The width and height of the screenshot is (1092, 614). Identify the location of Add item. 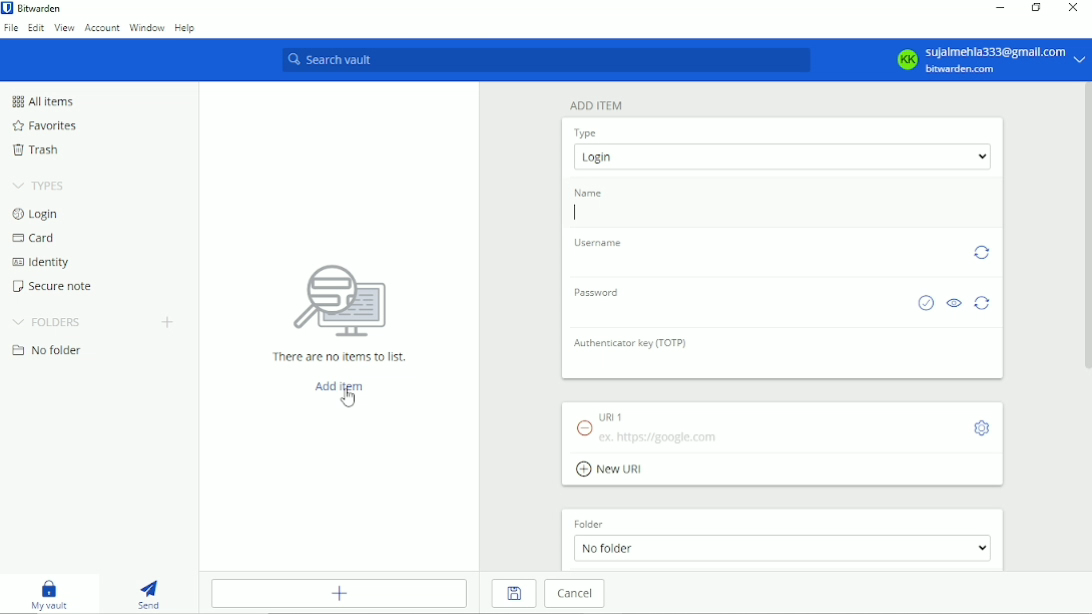
(339, 593).